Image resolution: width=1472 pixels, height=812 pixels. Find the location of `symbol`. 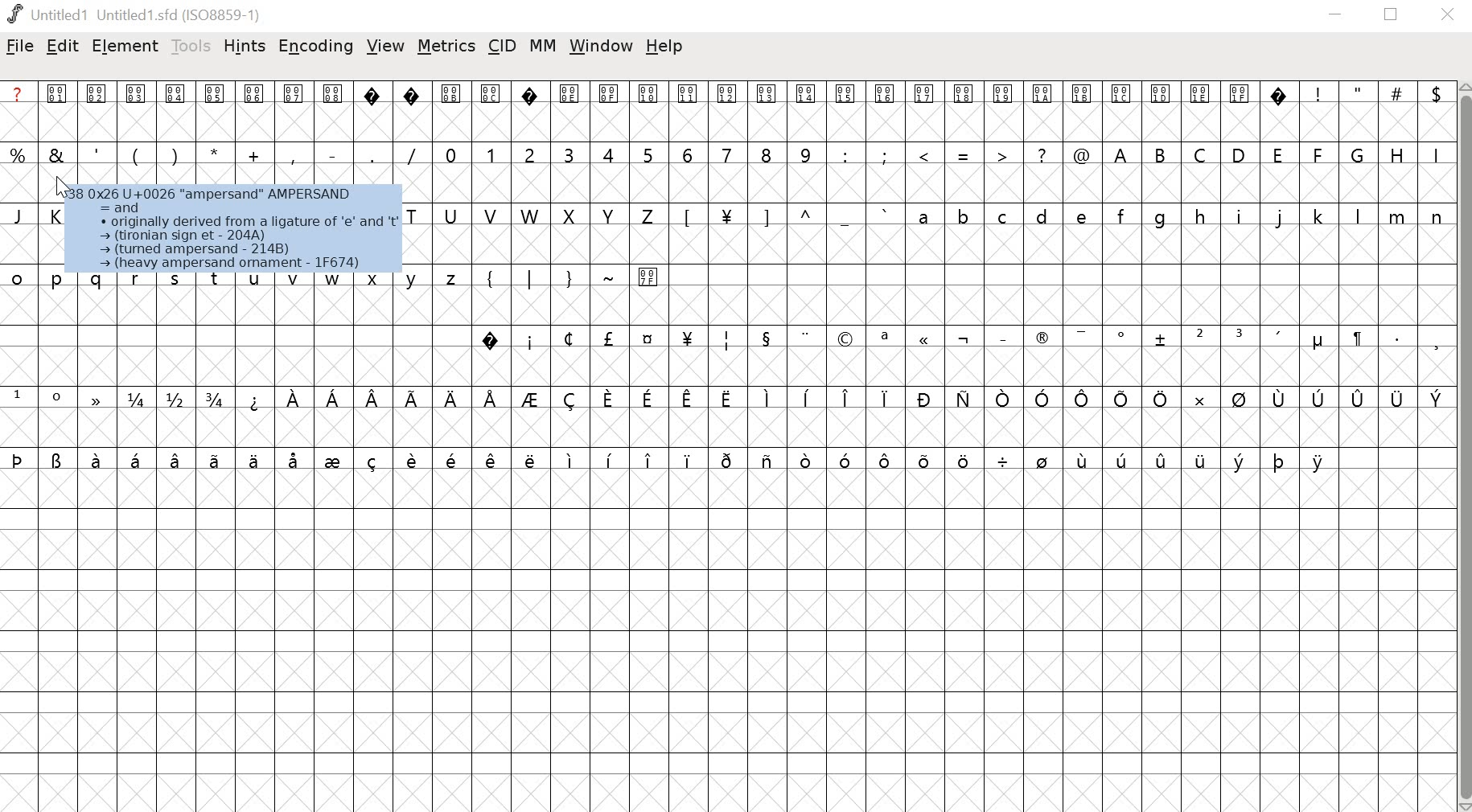

symbol is located at coordinates (802, 398).